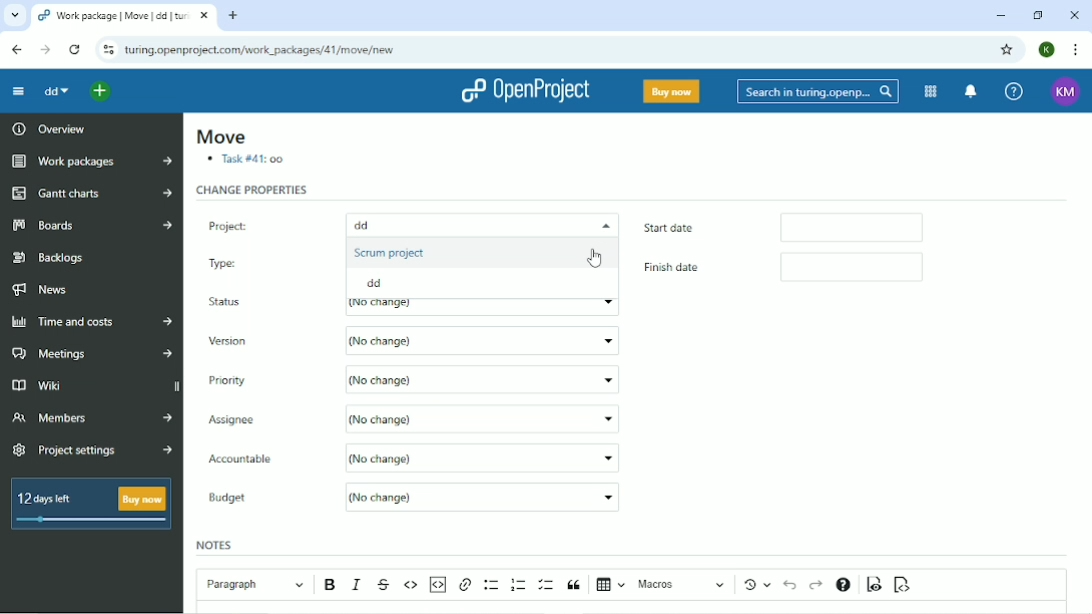 The height and width of the screenshot is (614, 1092). Describe the element at coordinates (101, 93) in the screenshot. I see `Open quick add menu` at that location.